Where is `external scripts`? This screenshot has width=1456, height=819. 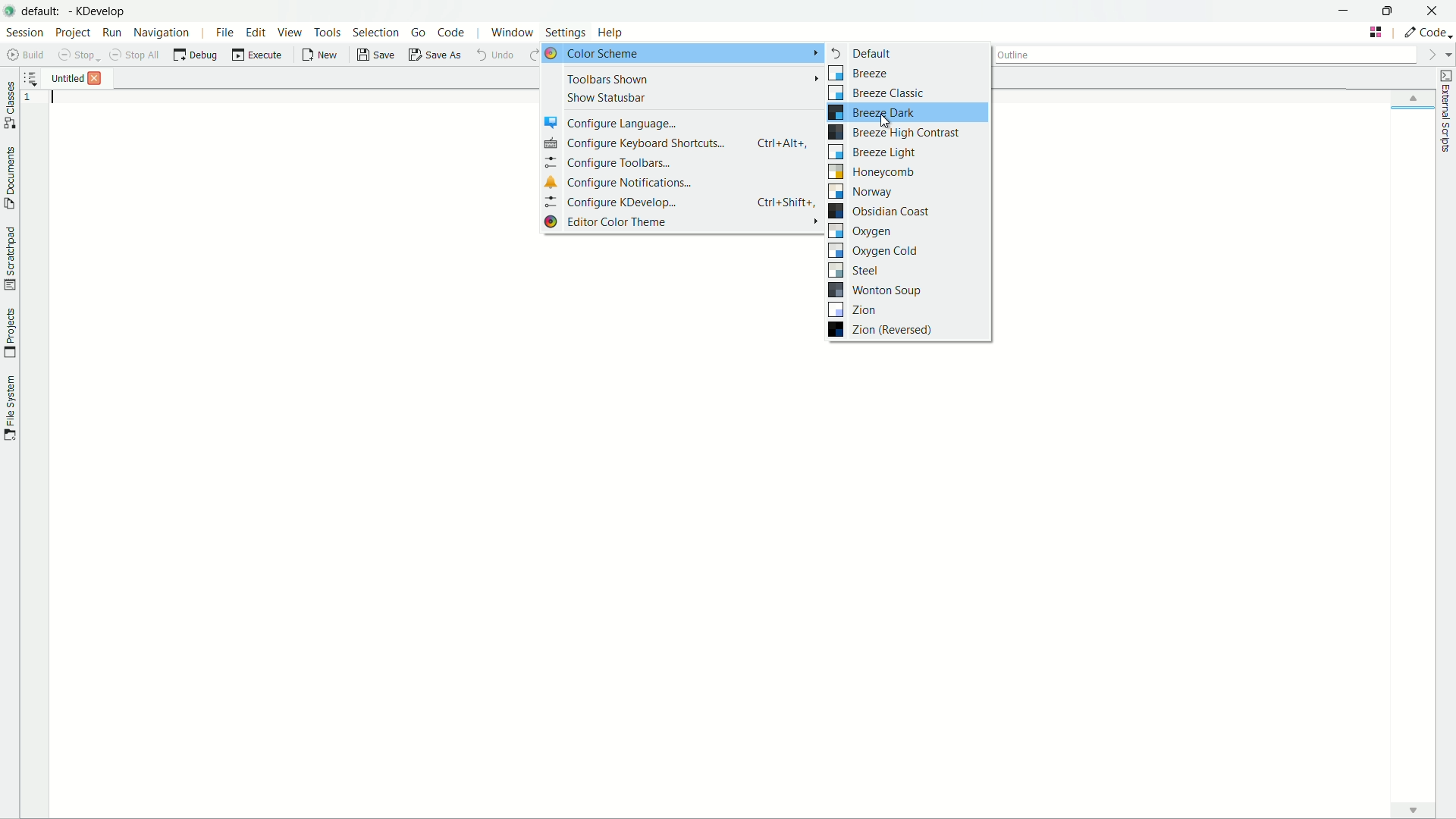
external scripts is located at coordinates (1446, 111).